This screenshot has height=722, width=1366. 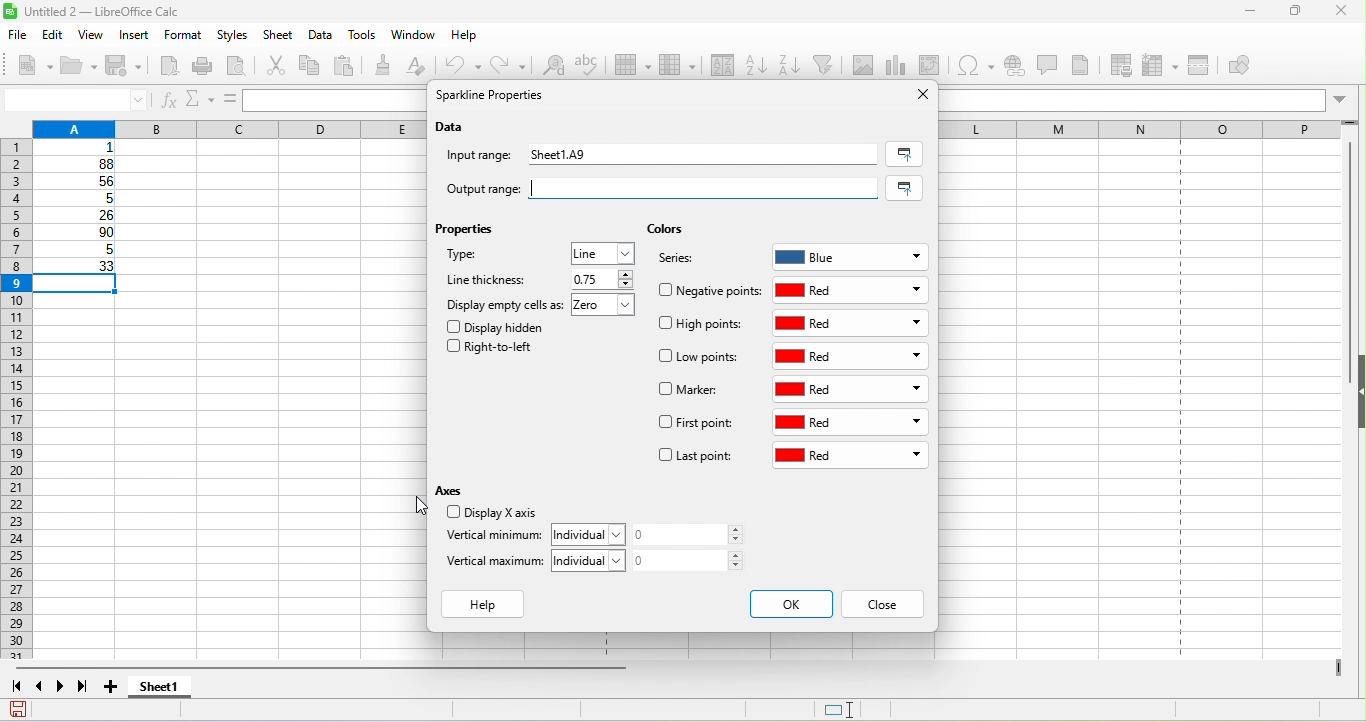 What do you see at coordinates (82, 182) in the screenshot?
I see `56` at bounding box center [82, 182].